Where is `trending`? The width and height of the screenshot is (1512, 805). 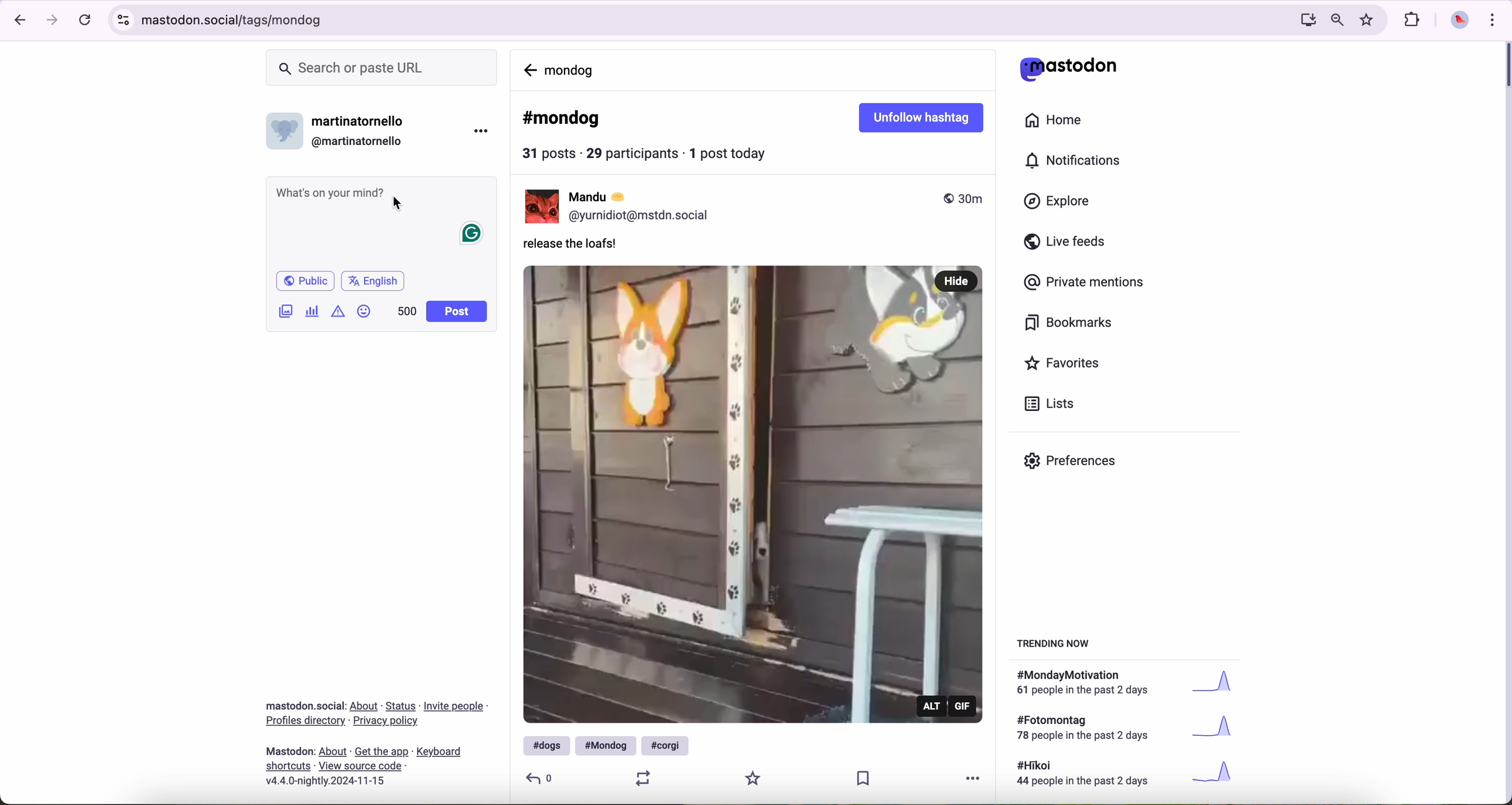
trending is located at coordinates (1057, 646).